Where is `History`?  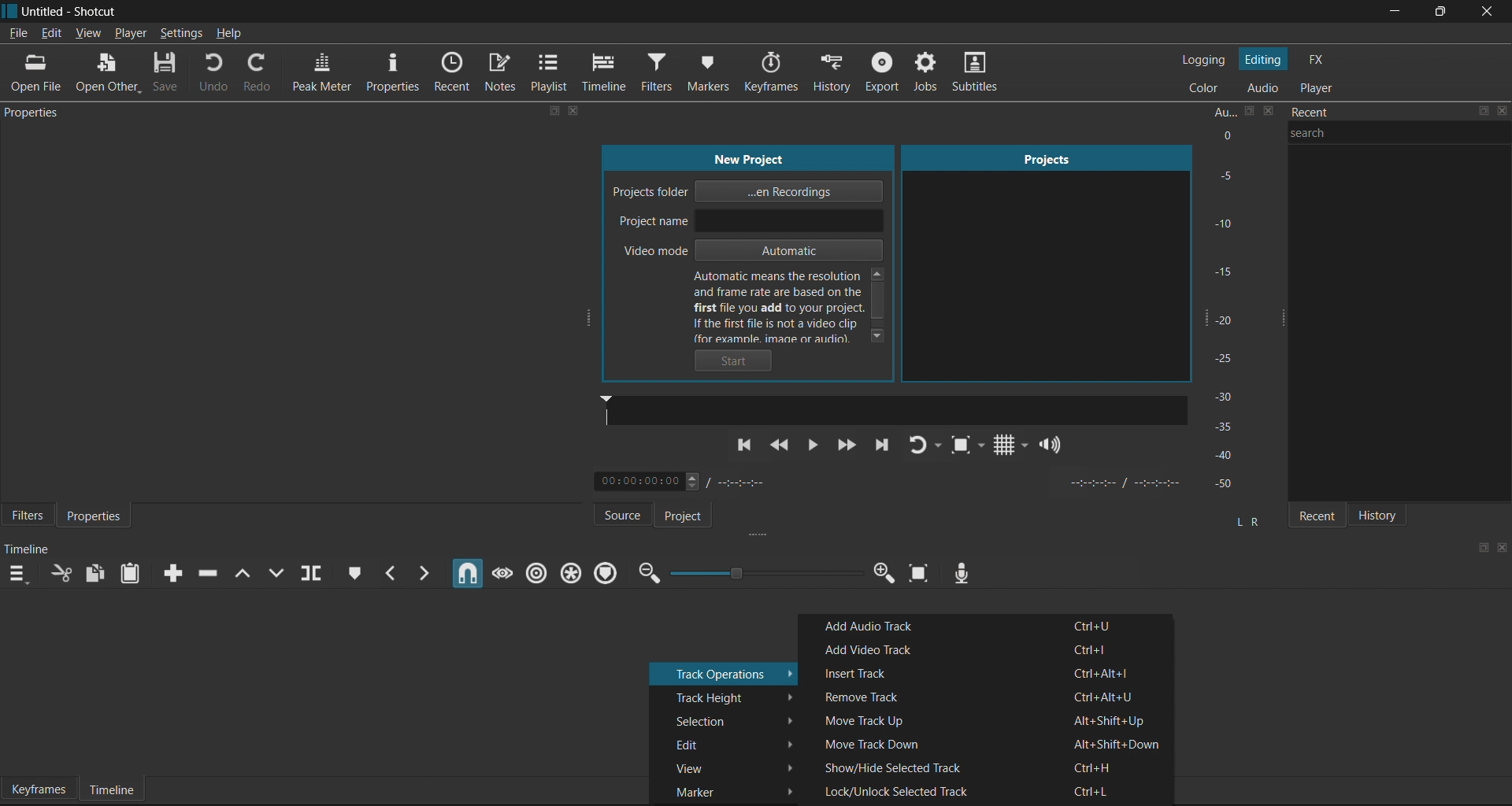
History is located at coordinates (833, 71).